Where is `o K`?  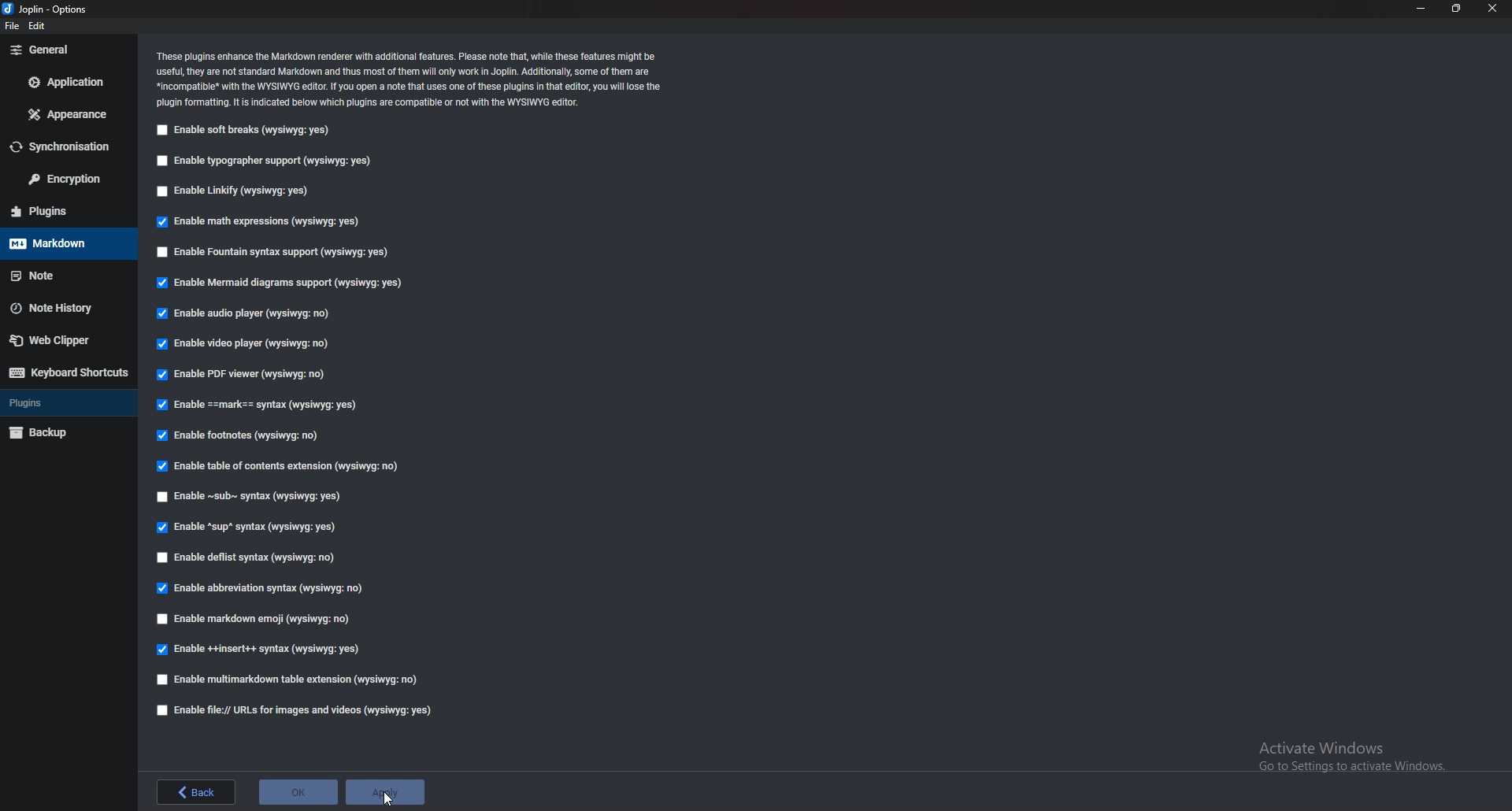 o K is located at coordinates (299, 791).